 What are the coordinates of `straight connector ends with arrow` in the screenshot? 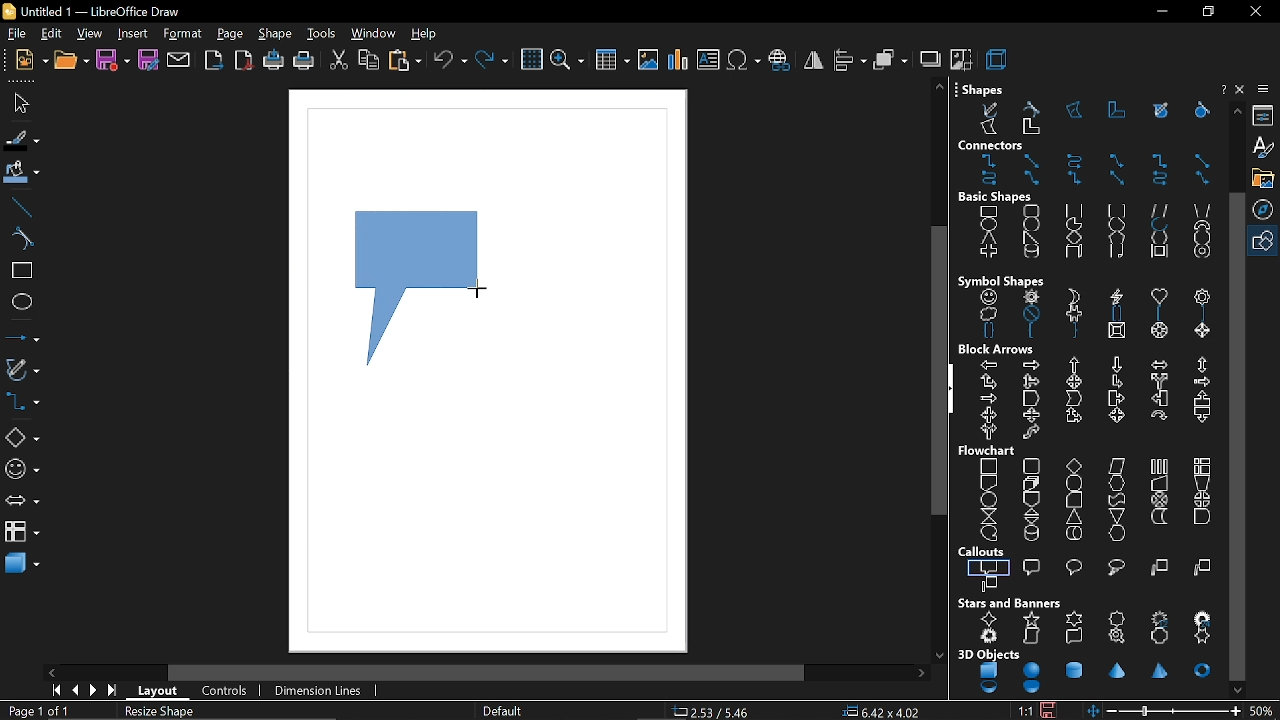 It's located at (1030, 160).